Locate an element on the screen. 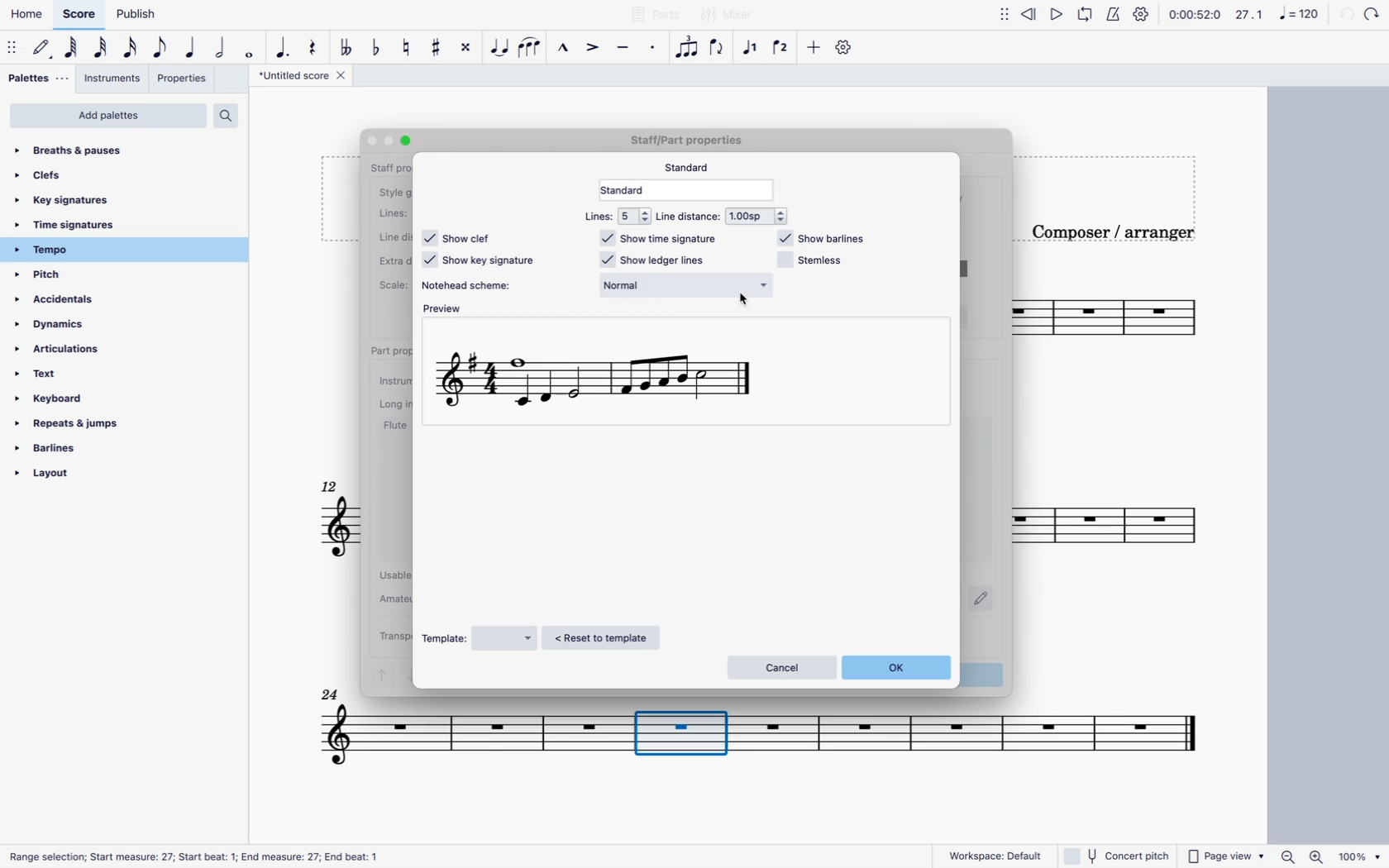  settings is located at coordinates (846, 49).